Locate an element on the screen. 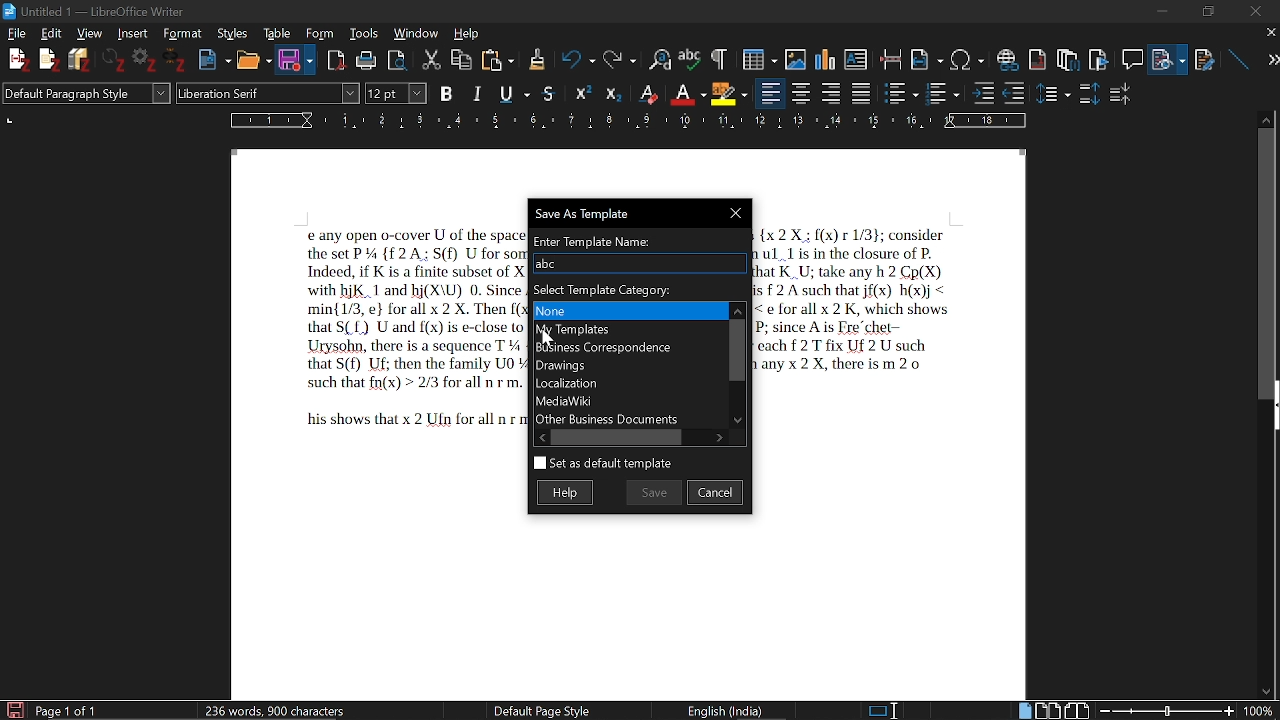 This screenshot has width=1280, height=720. Align centre is located at coordinates (803, 92).